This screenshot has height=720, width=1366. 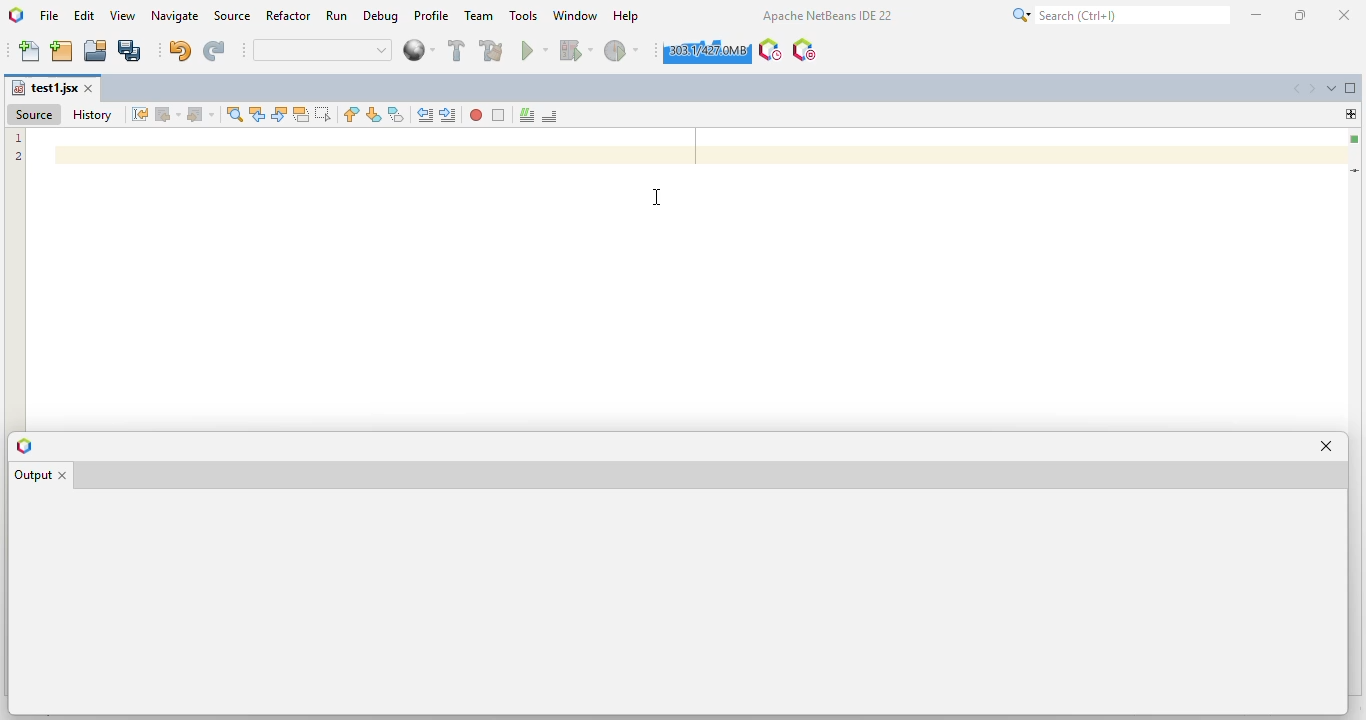 I want to click on maximize, so click(x=1300, y=15).